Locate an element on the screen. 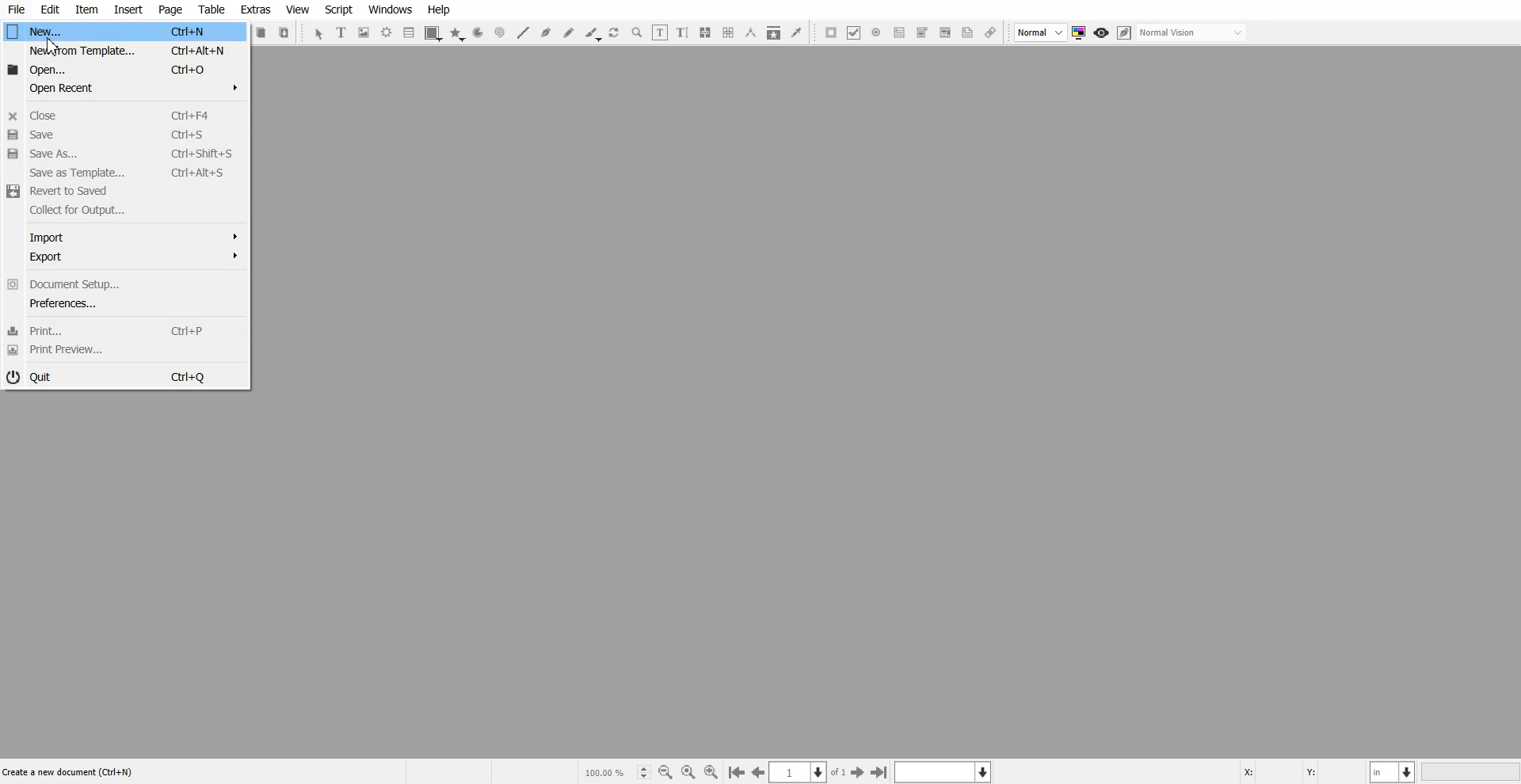  Save is located at coordinates (123, 134).